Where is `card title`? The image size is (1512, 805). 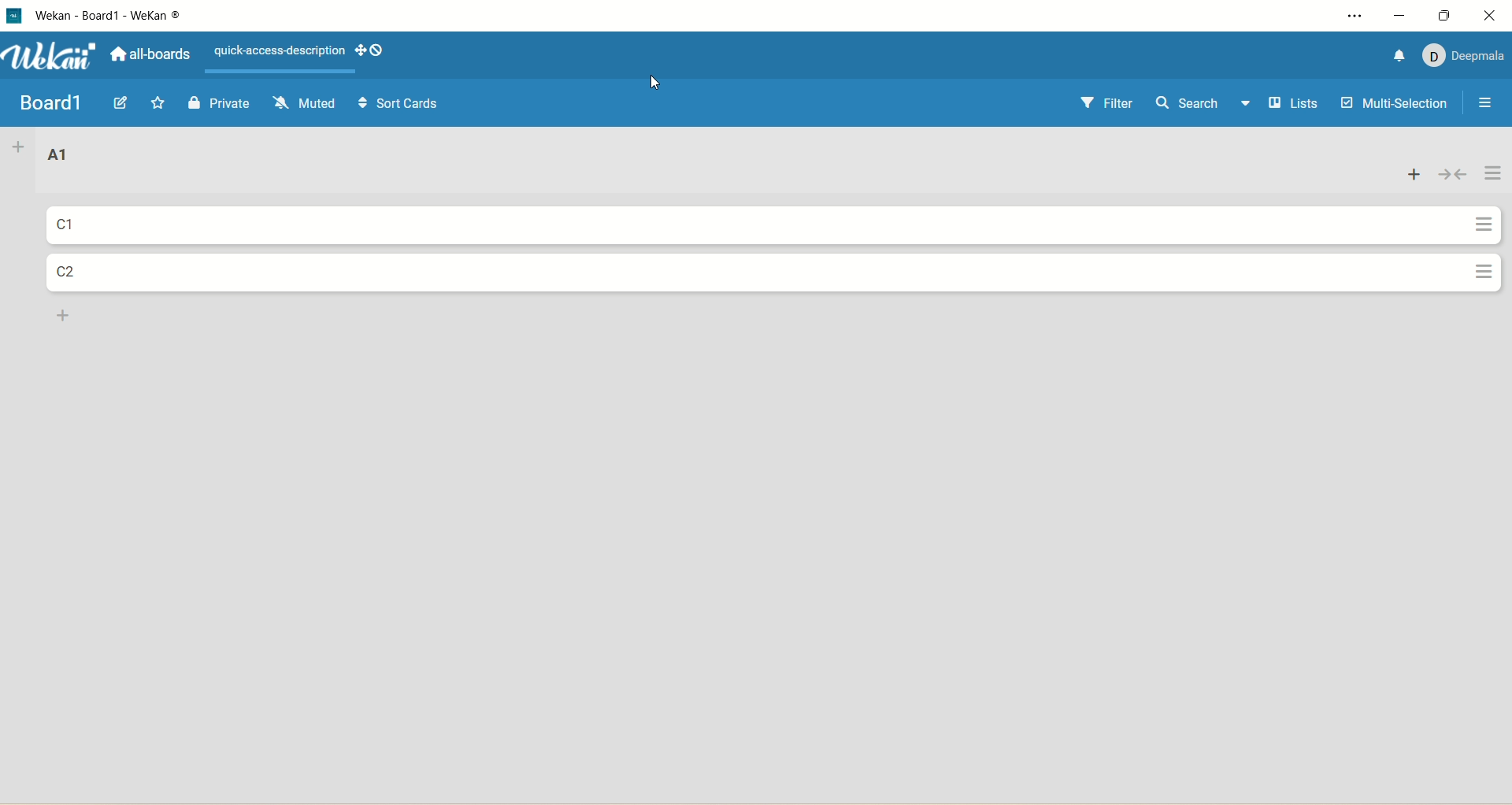
card title is located at coordinates (69, 272).